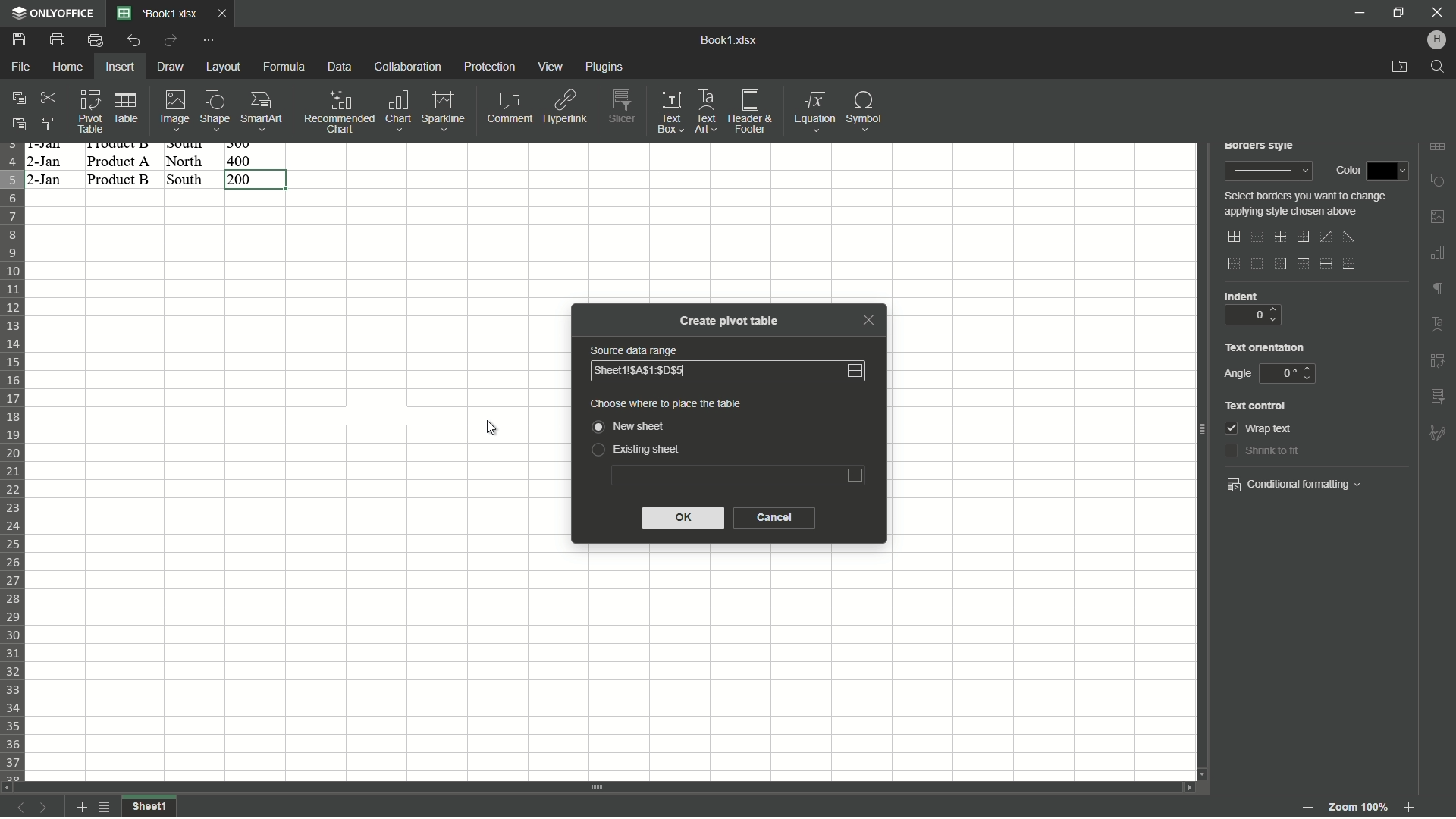  Describe the element at coordinates (1279, 263) in the screenshot. I see `outer right border` at that location.